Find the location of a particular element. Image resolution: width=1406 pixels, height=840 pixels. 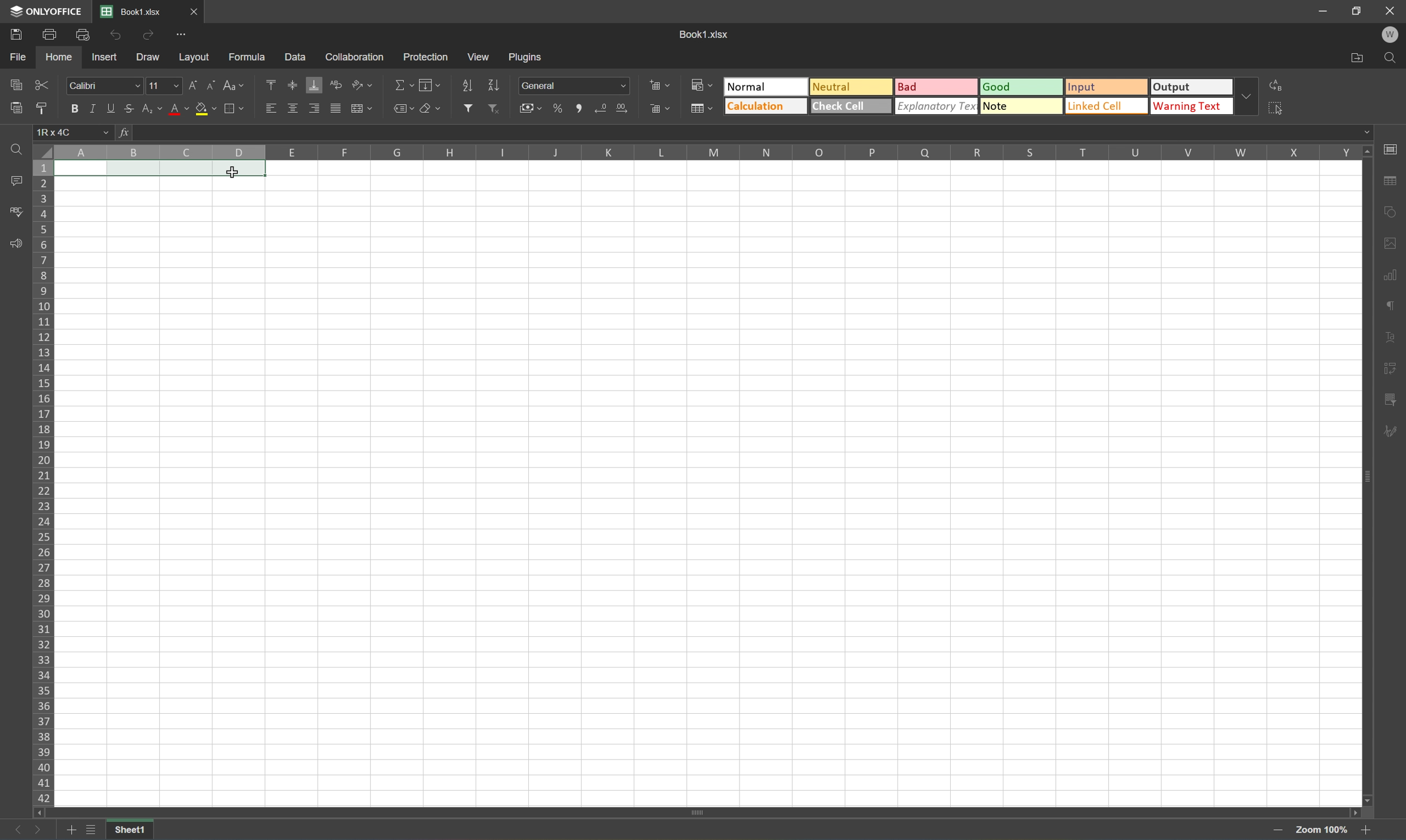

Replace is located at coordinates (1279, 86).